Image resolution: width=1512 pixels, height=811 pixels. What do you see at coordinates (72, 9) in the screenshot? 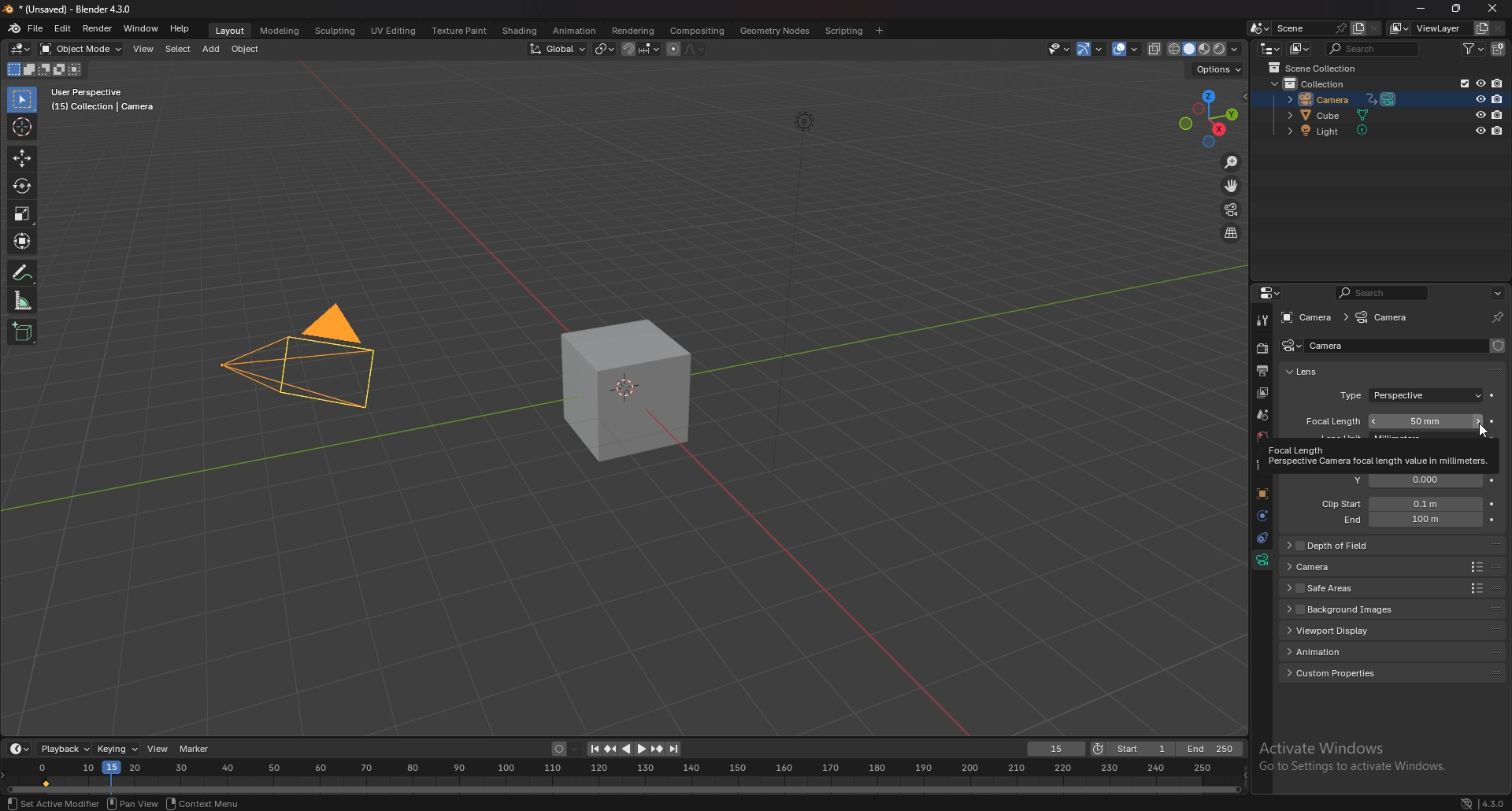
I see `title` at bounding box center [72, 9].